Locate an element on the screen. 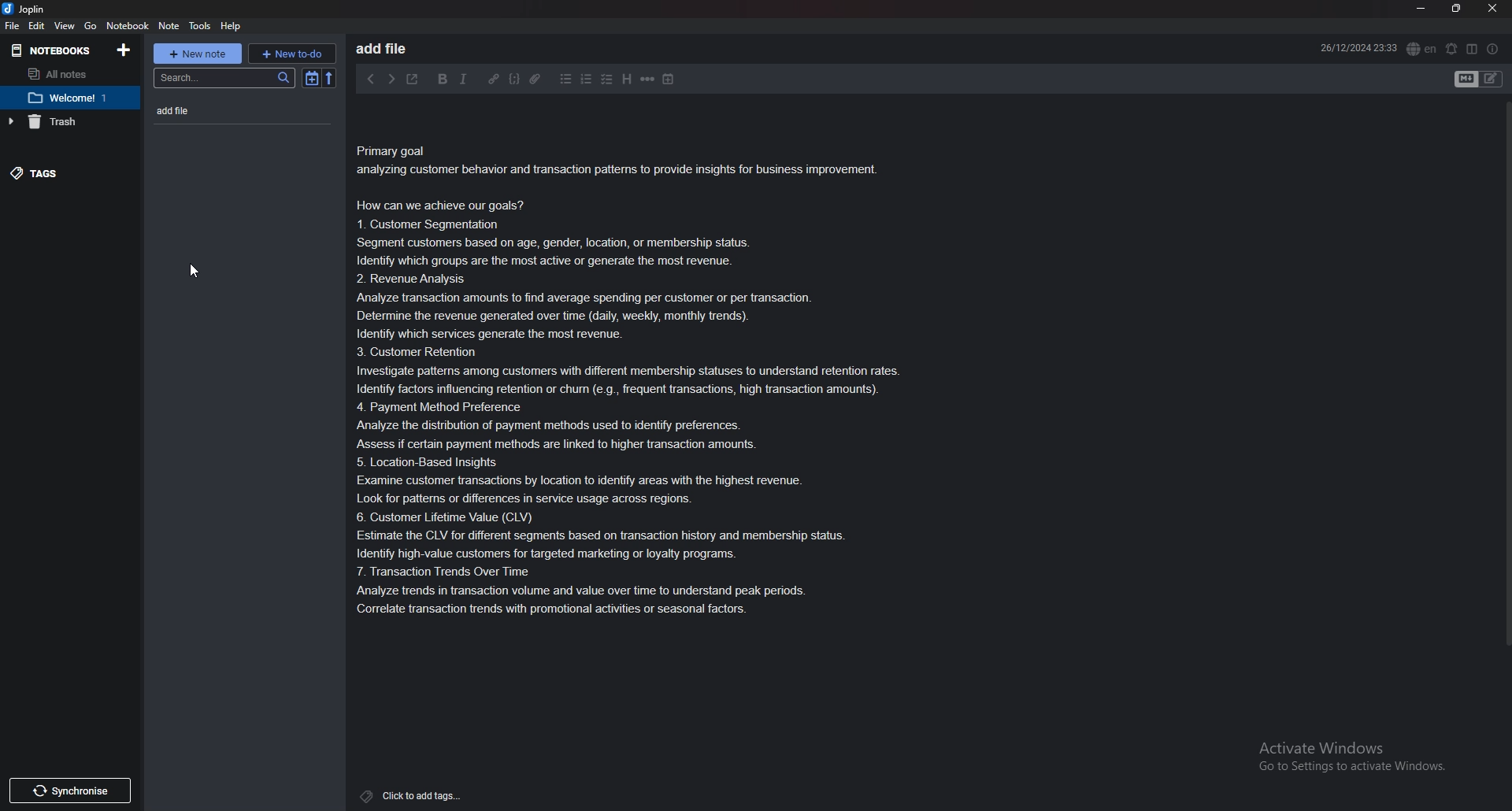 The width and height of the screenshot is (1512, 811). All notes is located at coordinates (69, 72).